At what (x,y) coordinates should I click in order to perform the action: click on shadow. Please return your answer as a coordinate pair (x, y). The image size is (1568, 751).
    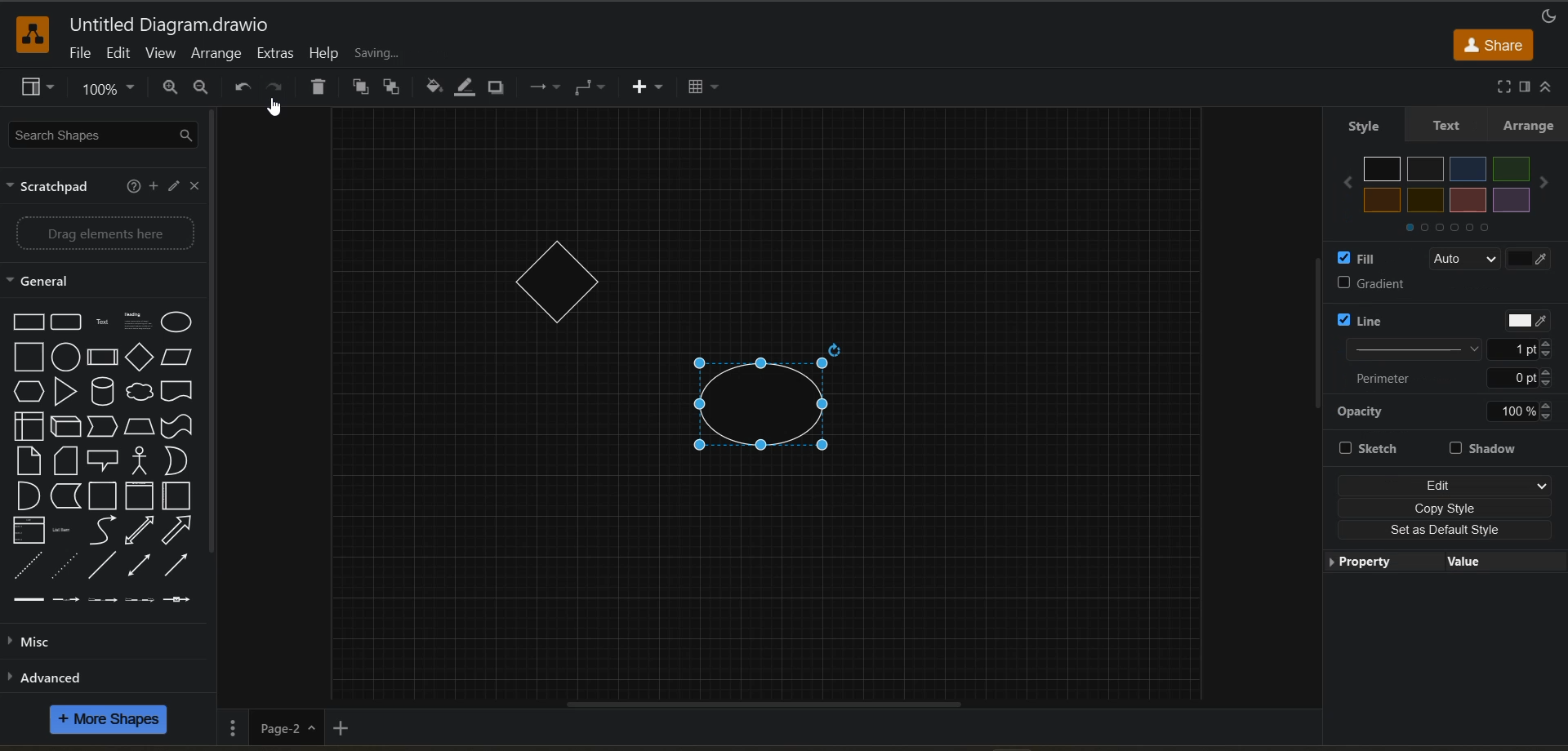
    Looking at the image, I should click on (496, 90).